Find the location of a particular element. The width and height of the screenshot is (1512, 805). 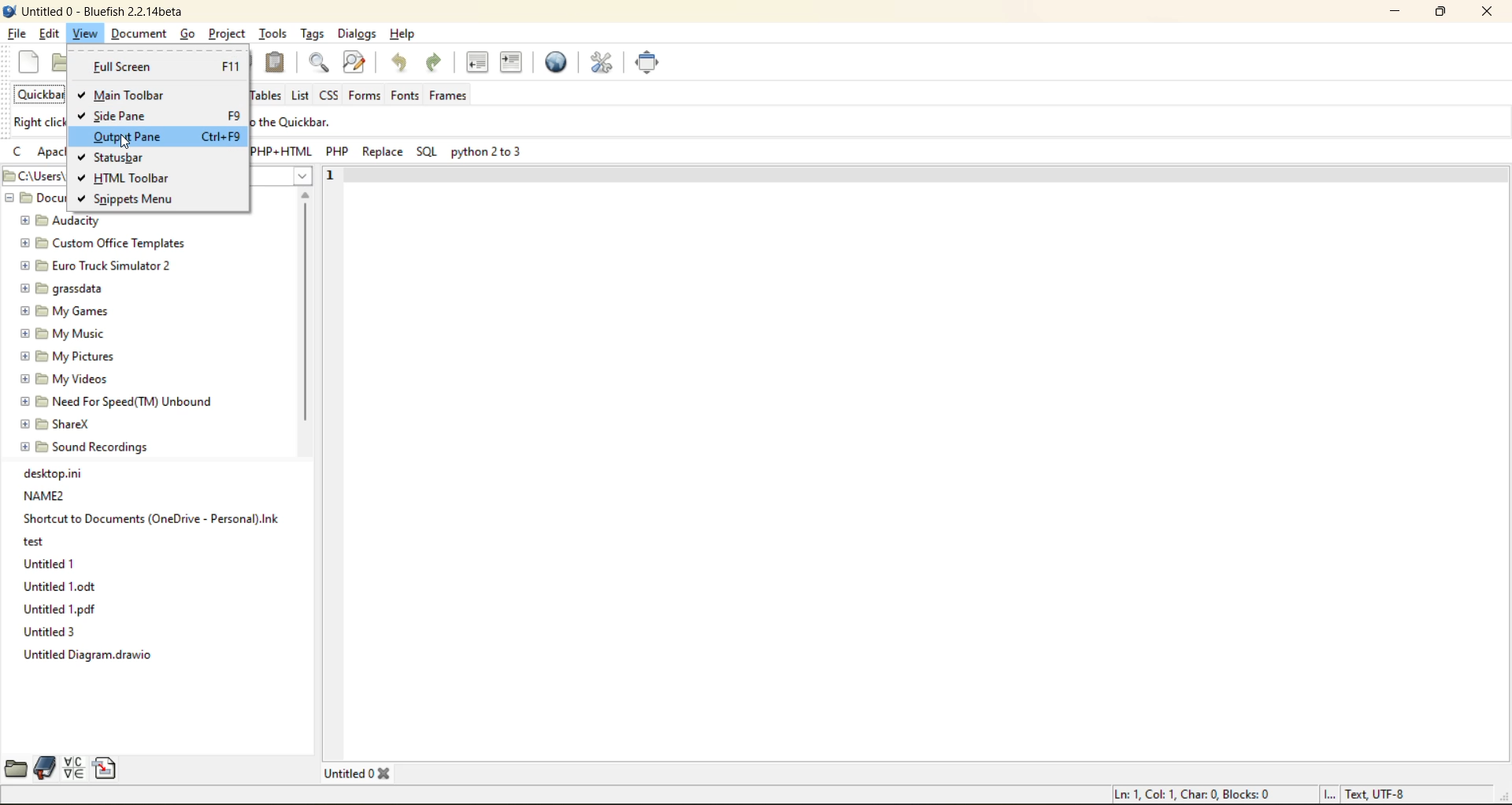

NAME2 is located at coordinates (51, 496).